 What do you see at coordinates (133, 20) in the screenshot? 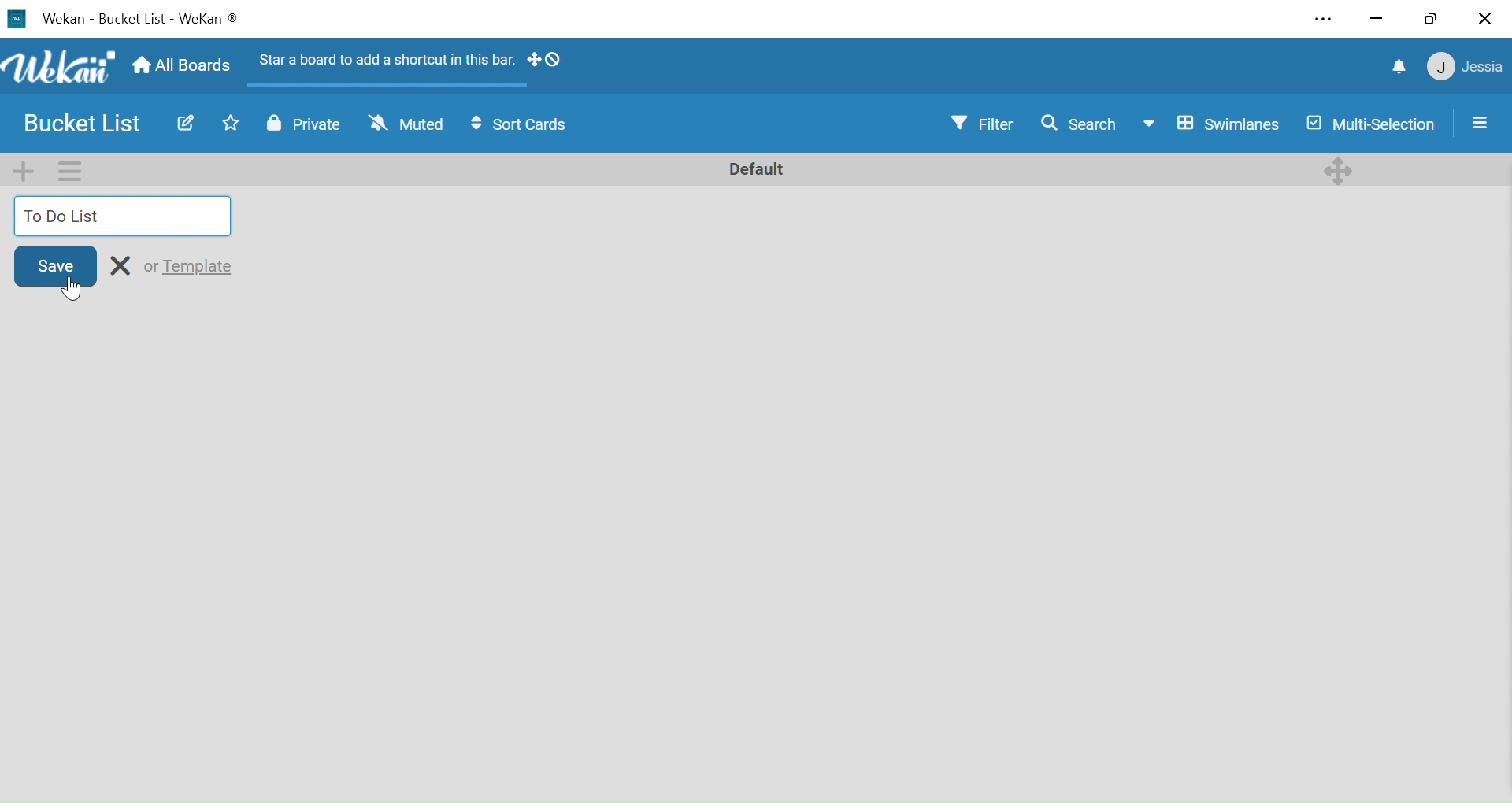
I see `Board name` at bounding box center [133, 20].